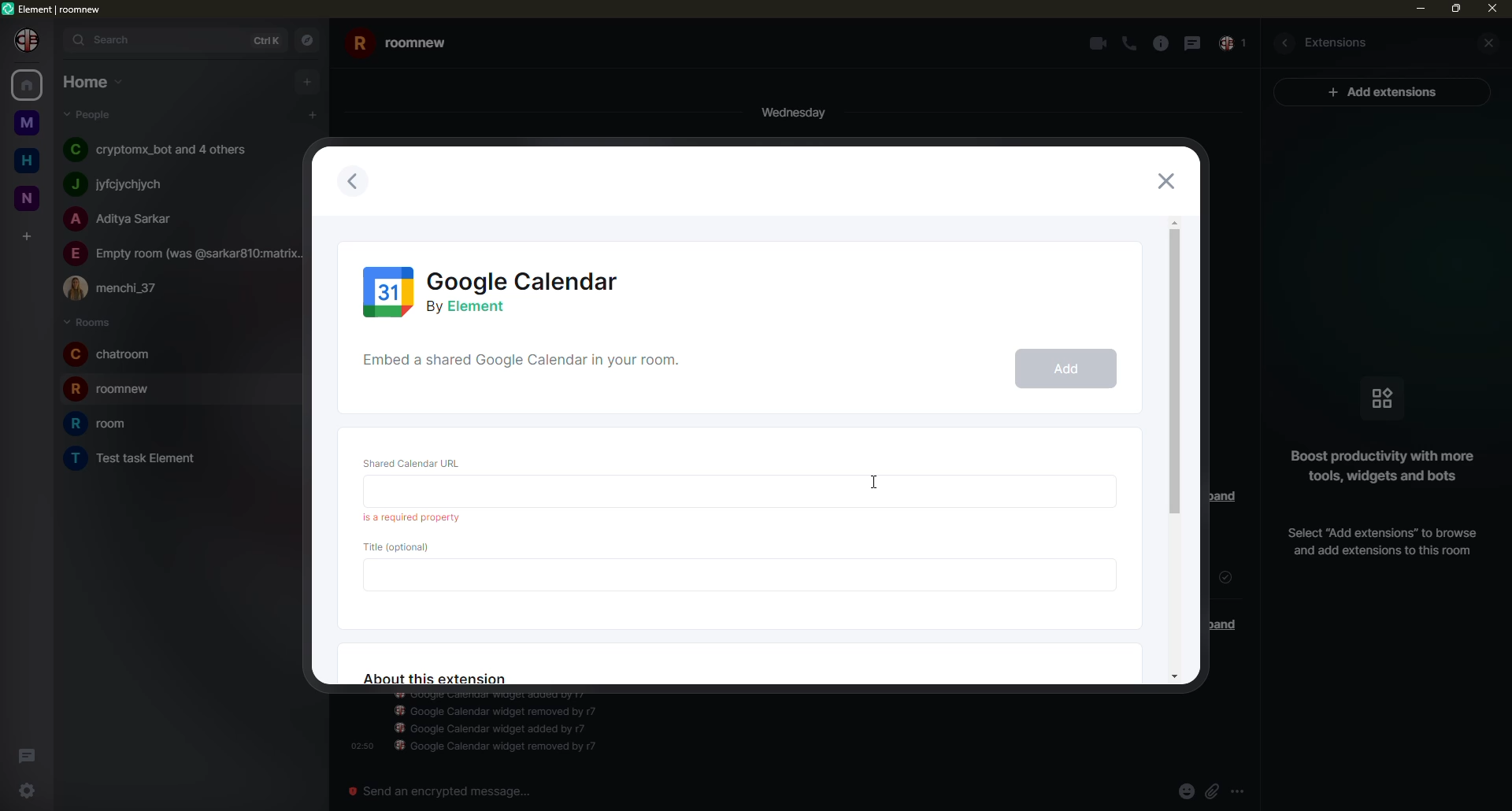 This screenshot has height=811, width=1512. I want to click on vertical scrollbar, so click(1503, 428).